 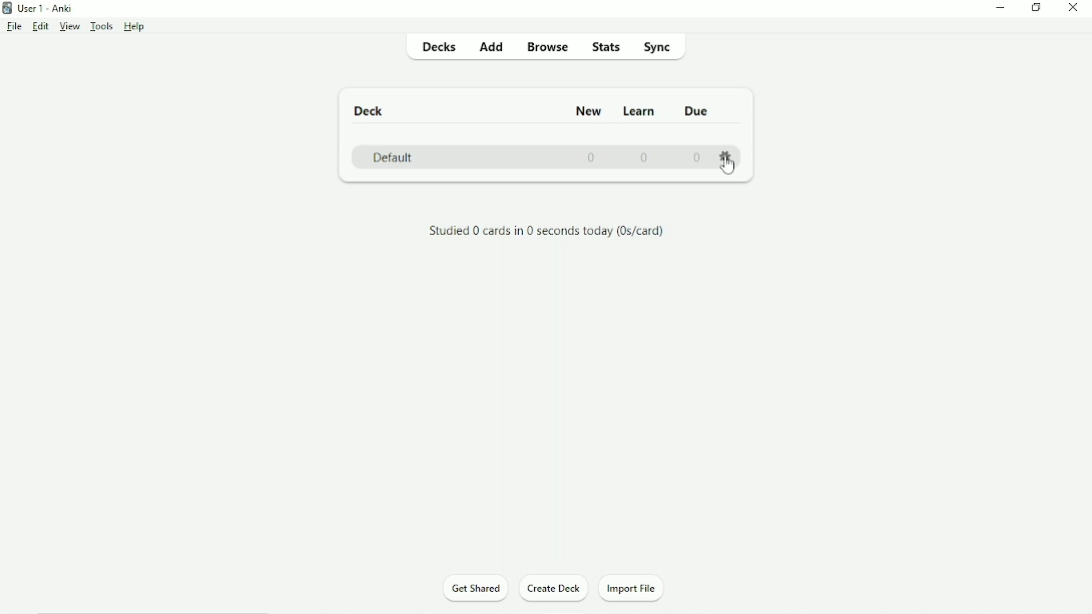 I want to click on Learn, so click(x=639, y=110).